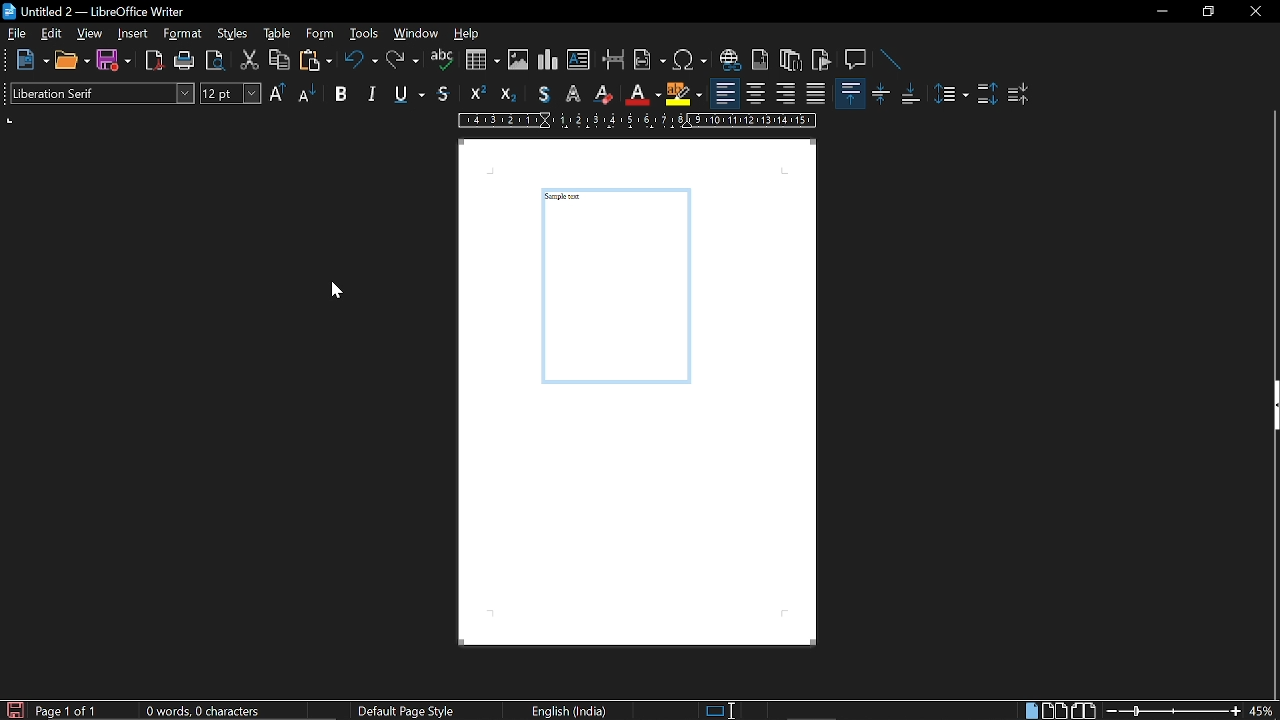 Image resolution: width=1280 pixels, height=720 pixels. I want to click on text style, so click(103, 93).